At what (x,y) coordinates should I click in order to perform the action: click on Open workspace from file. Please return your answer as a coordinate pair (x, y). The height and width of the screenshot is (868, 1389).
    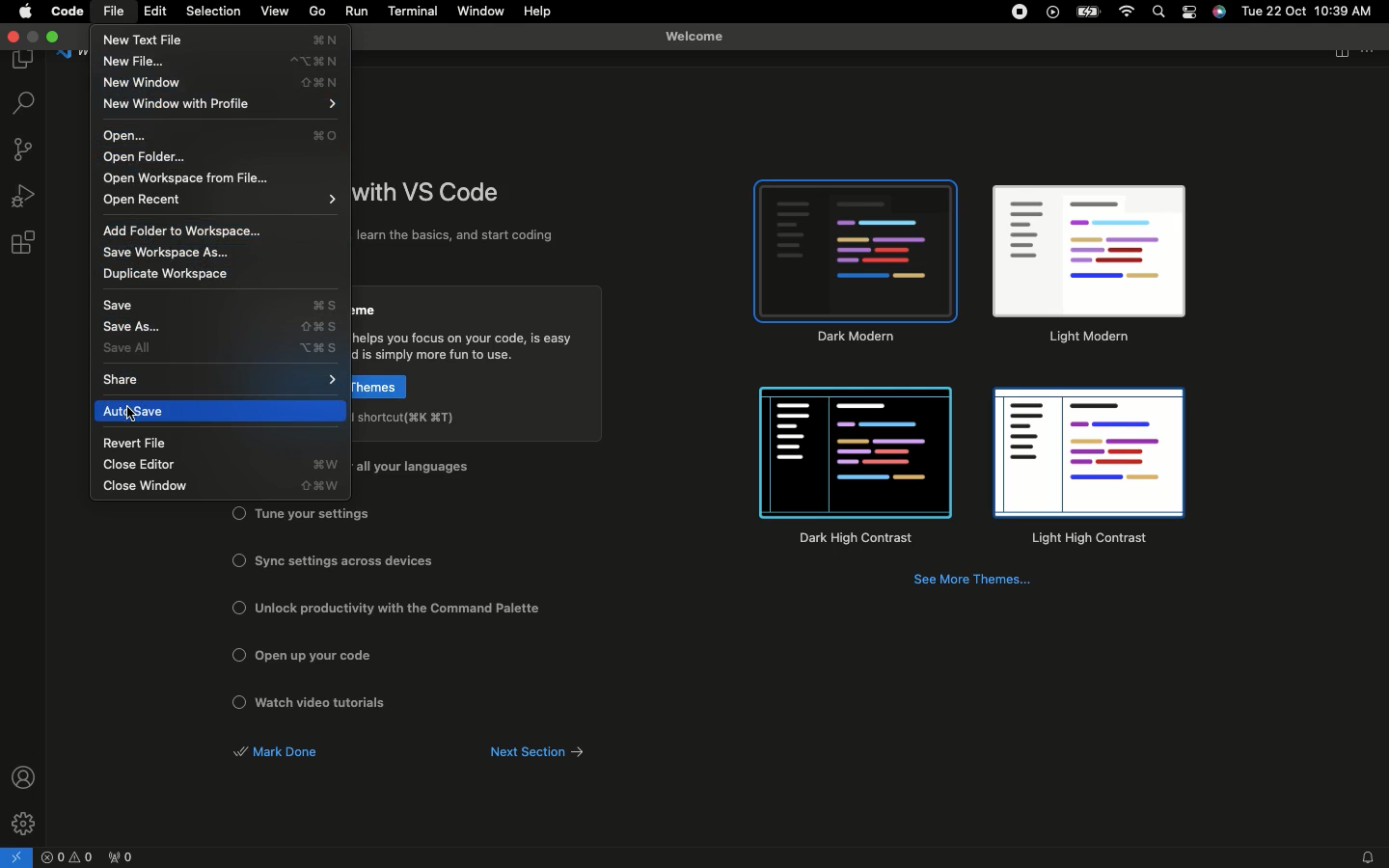
    Looking at the image, I should click on (192, 177).